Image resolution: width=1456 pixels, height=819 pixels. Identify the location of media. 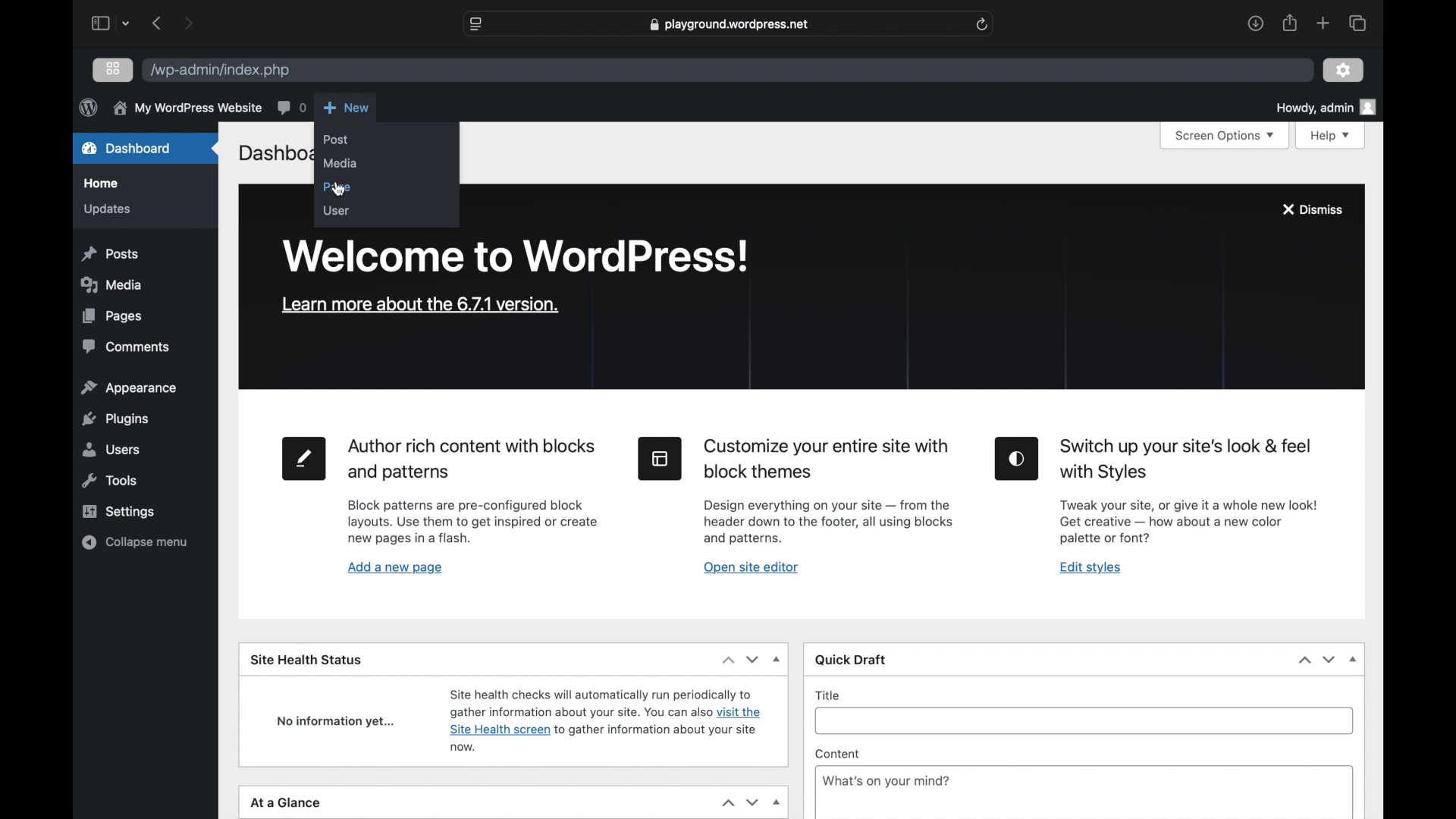
(112, 285).